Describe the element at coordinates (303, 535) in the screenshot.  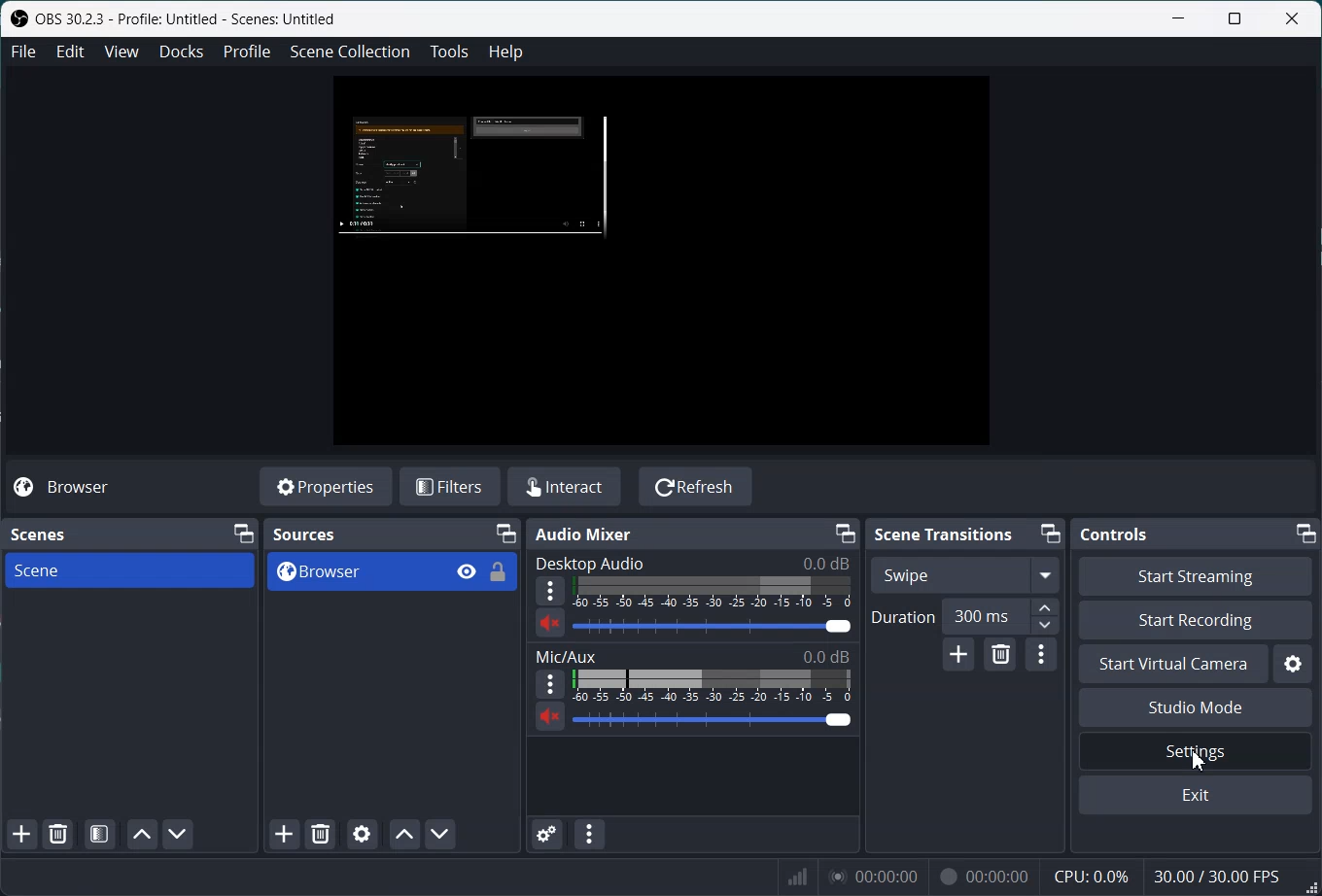
I see `Sources` at that location.